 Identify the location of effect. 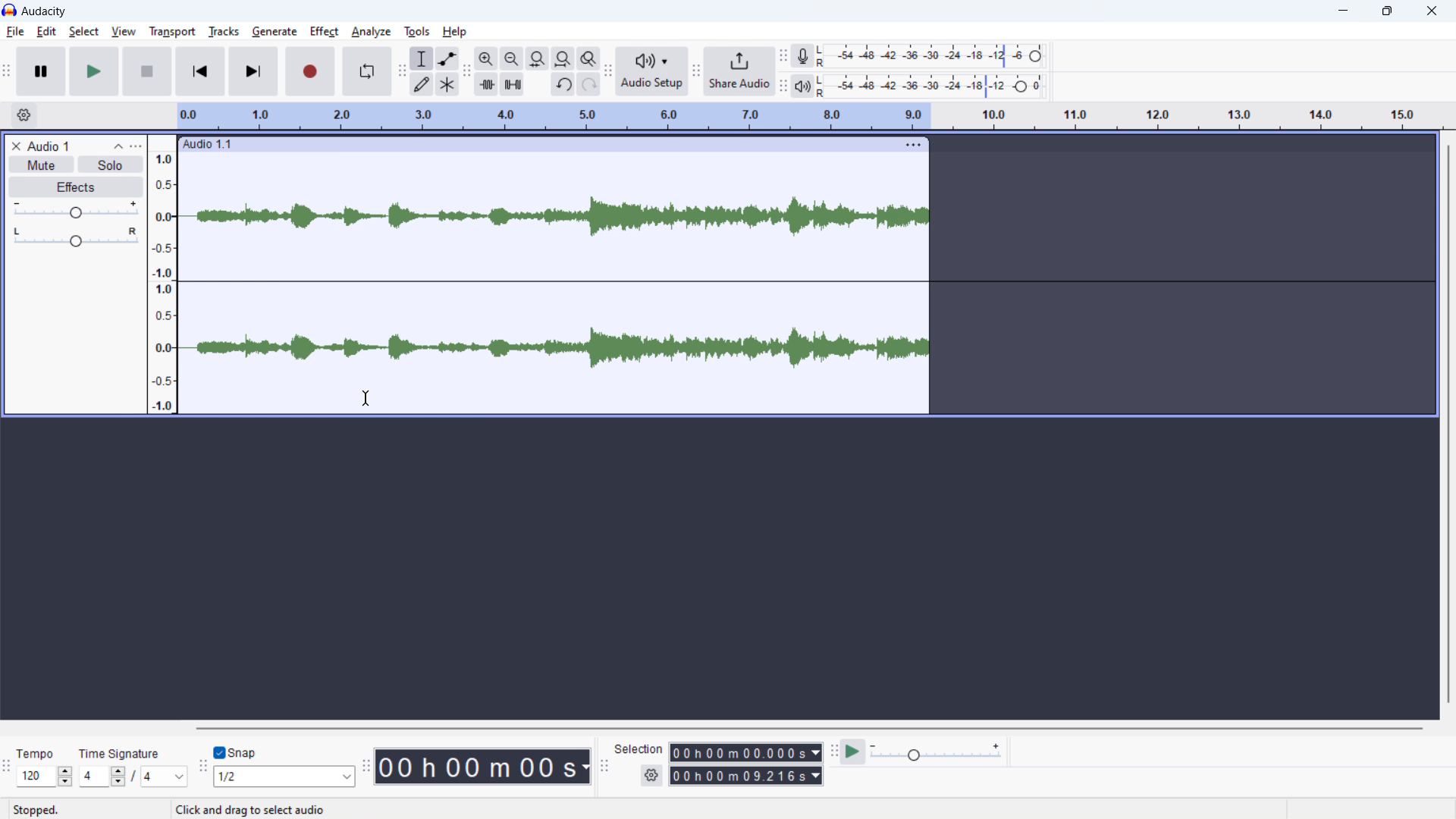
(325, 32).